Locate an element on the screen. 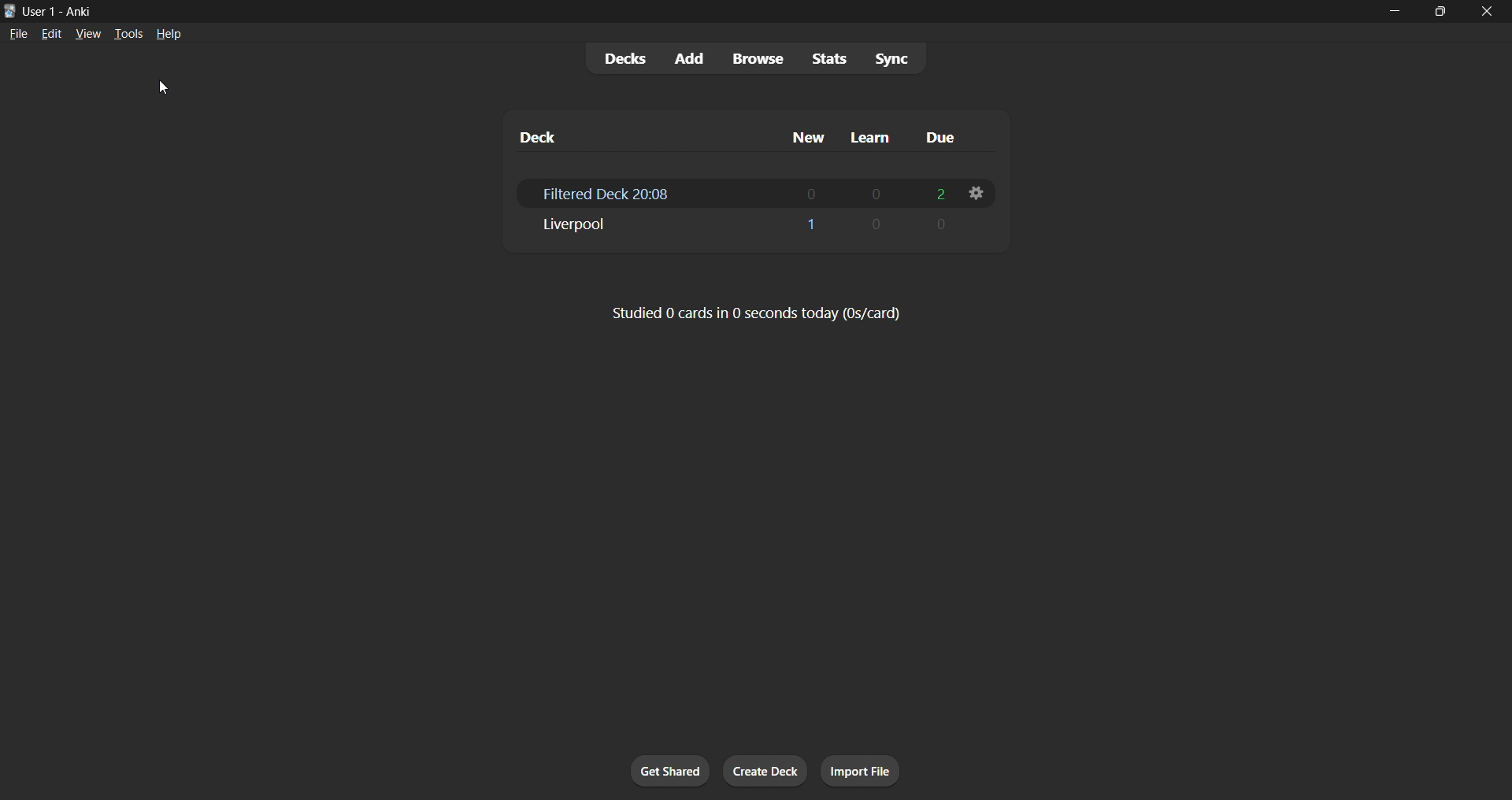 The height and width of the screenshot is (800, 1512). 1 is located at coordinates (810, 228).